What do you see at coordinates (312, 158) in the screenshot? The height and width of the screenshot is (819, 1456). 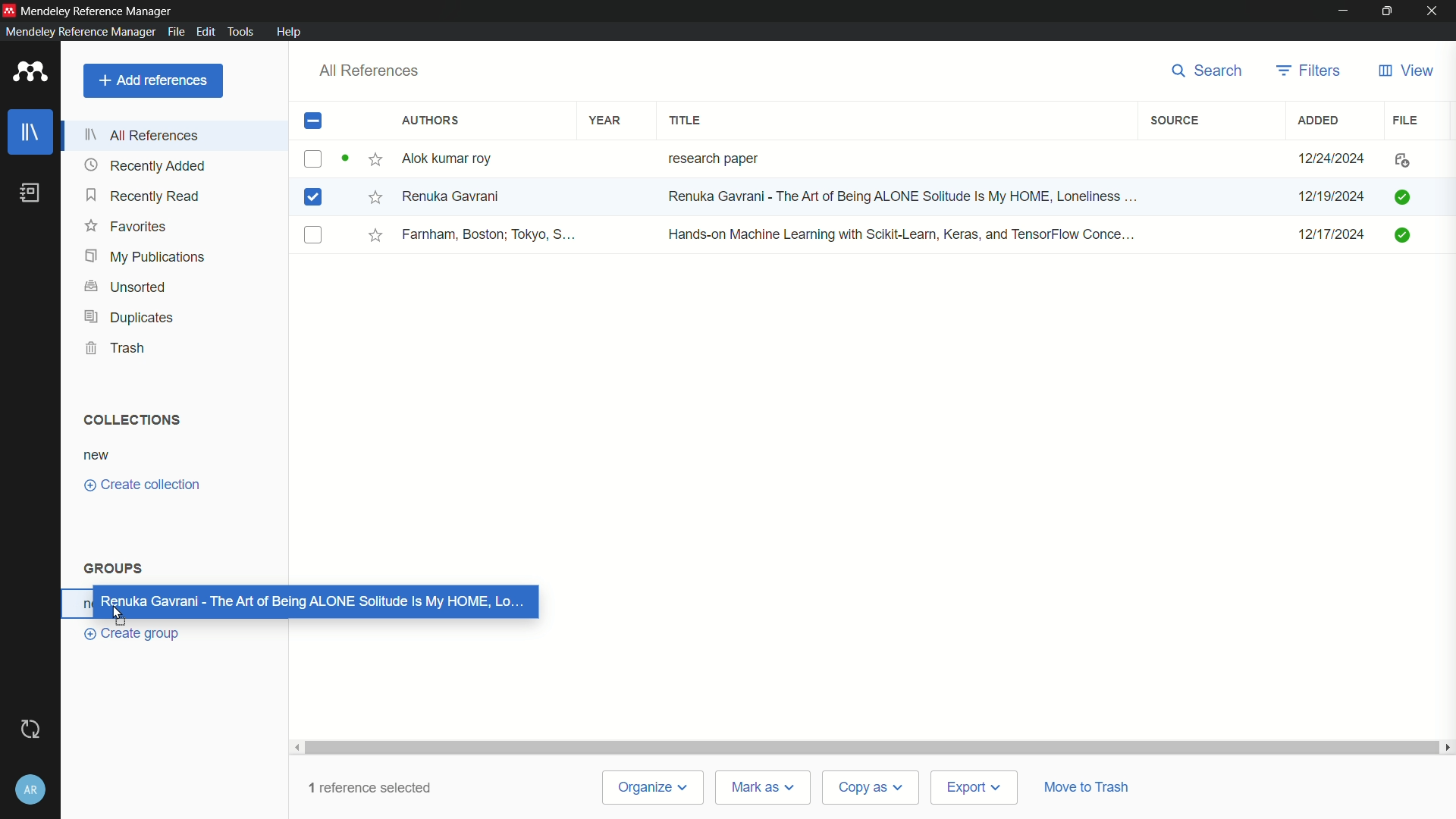 I see `book-1` at bounding box center [312, 158].